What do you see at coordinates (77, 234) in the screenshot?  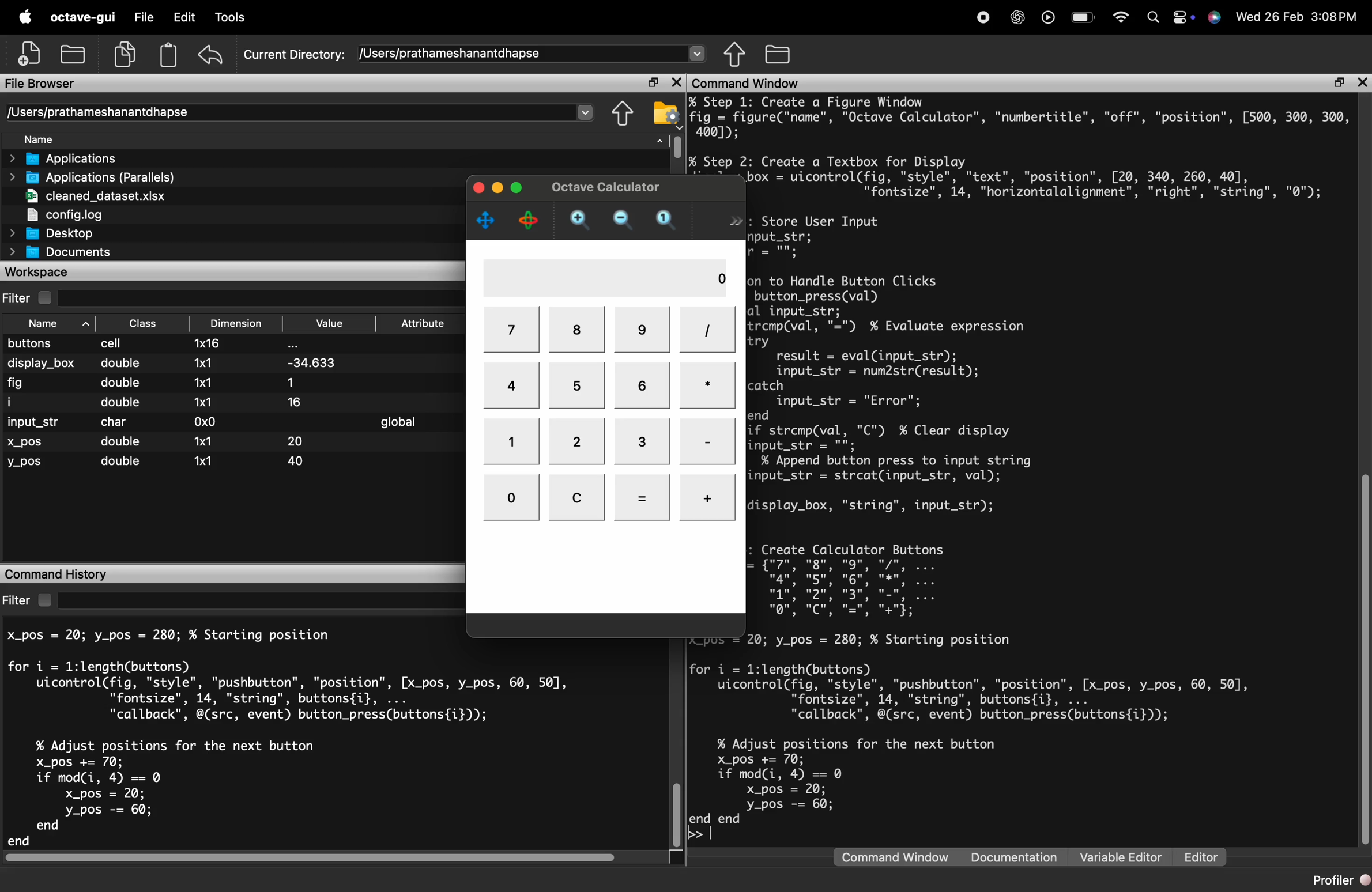 I see `Desktop` at bounding box center [77, 234].